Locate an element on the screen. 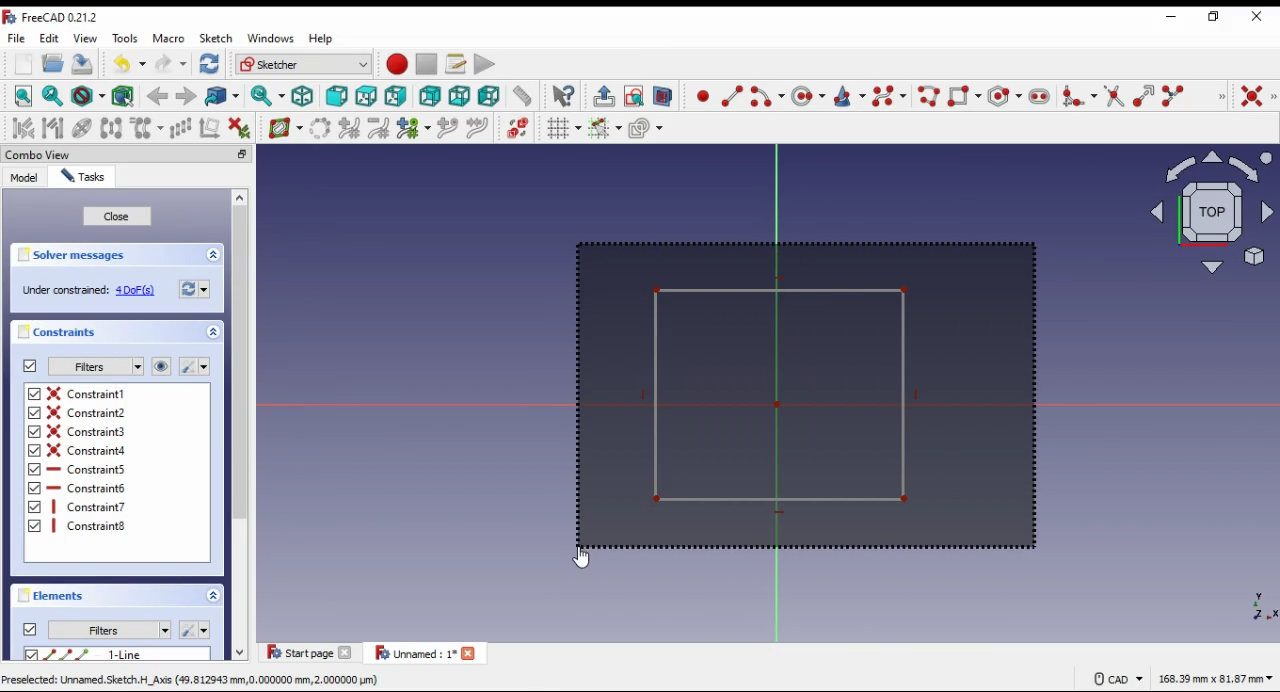 This screenshot has height=692, width=1280. open is located at coordinates (53, 63).